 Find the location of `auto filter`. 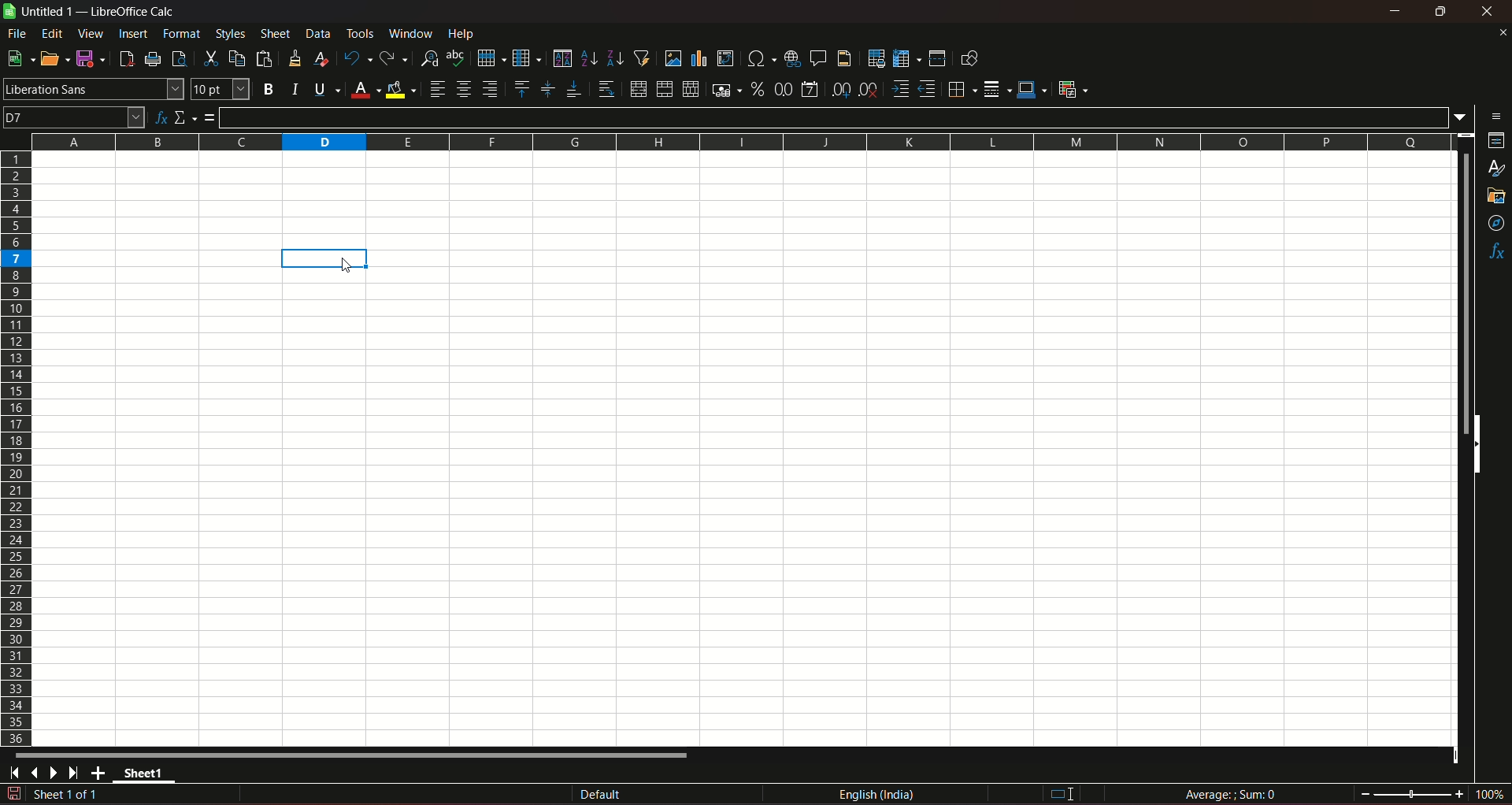

auto filter is located at coordinates (642, 57).